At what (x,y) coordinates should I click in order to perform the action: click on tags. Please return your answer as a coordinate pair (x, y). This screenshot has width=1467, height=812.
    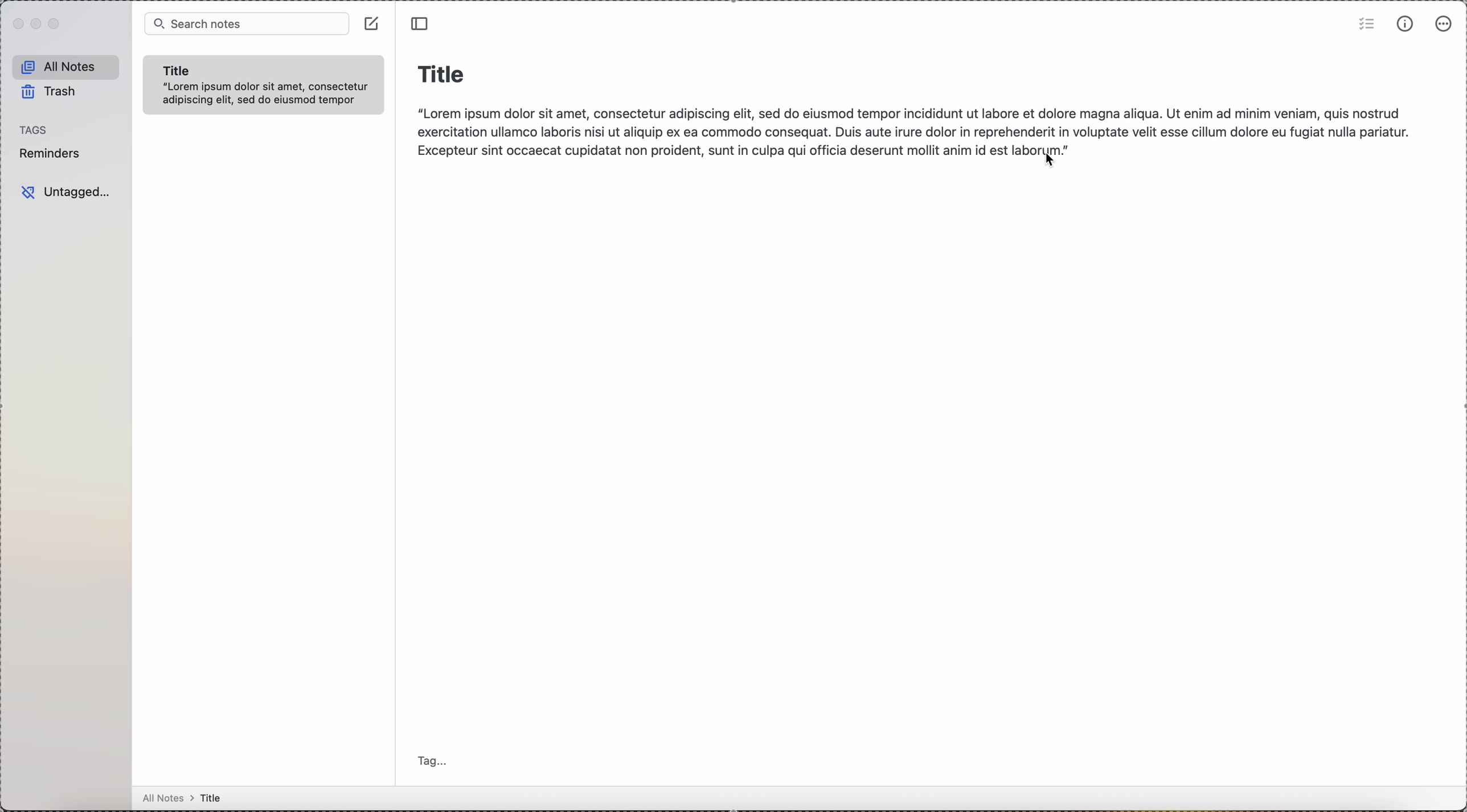
    Looking at the image, I should click on (36, 130).